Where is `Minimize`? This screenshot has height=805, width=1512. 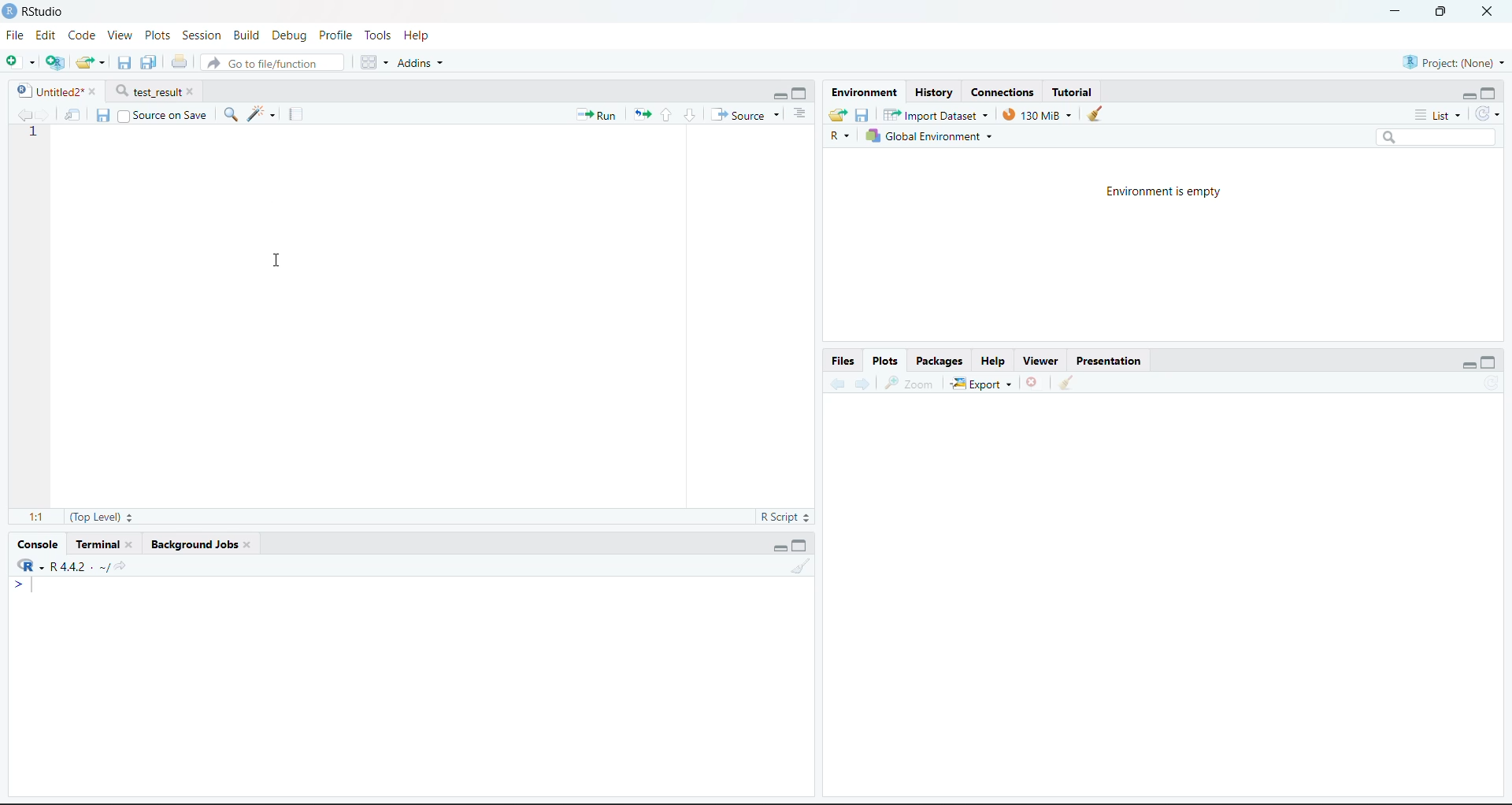
Minimize is located at coordinates (776, 547).